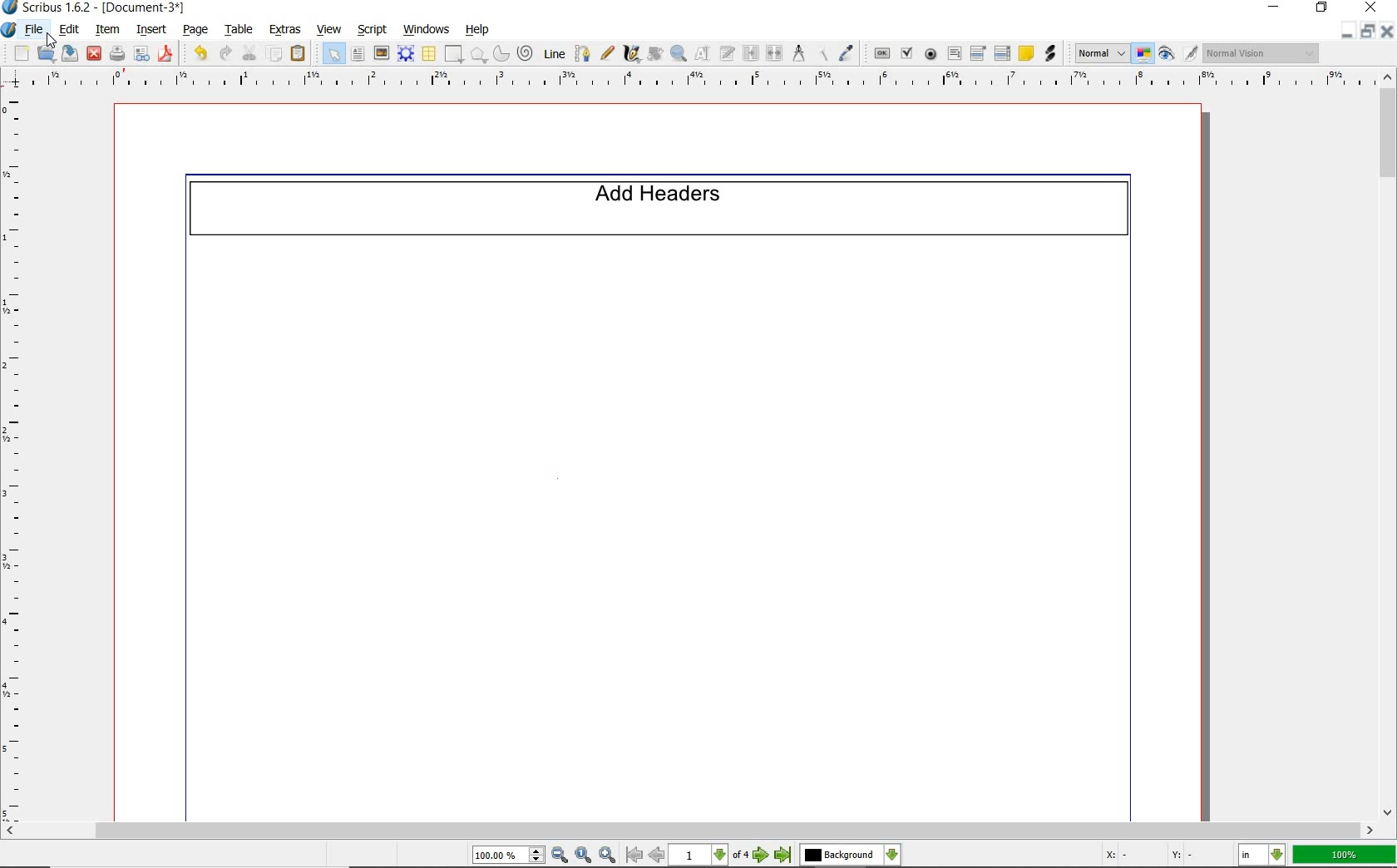 The width and height of the screenshot is (1397, 868). I want to click on close, so click(1389, 31).